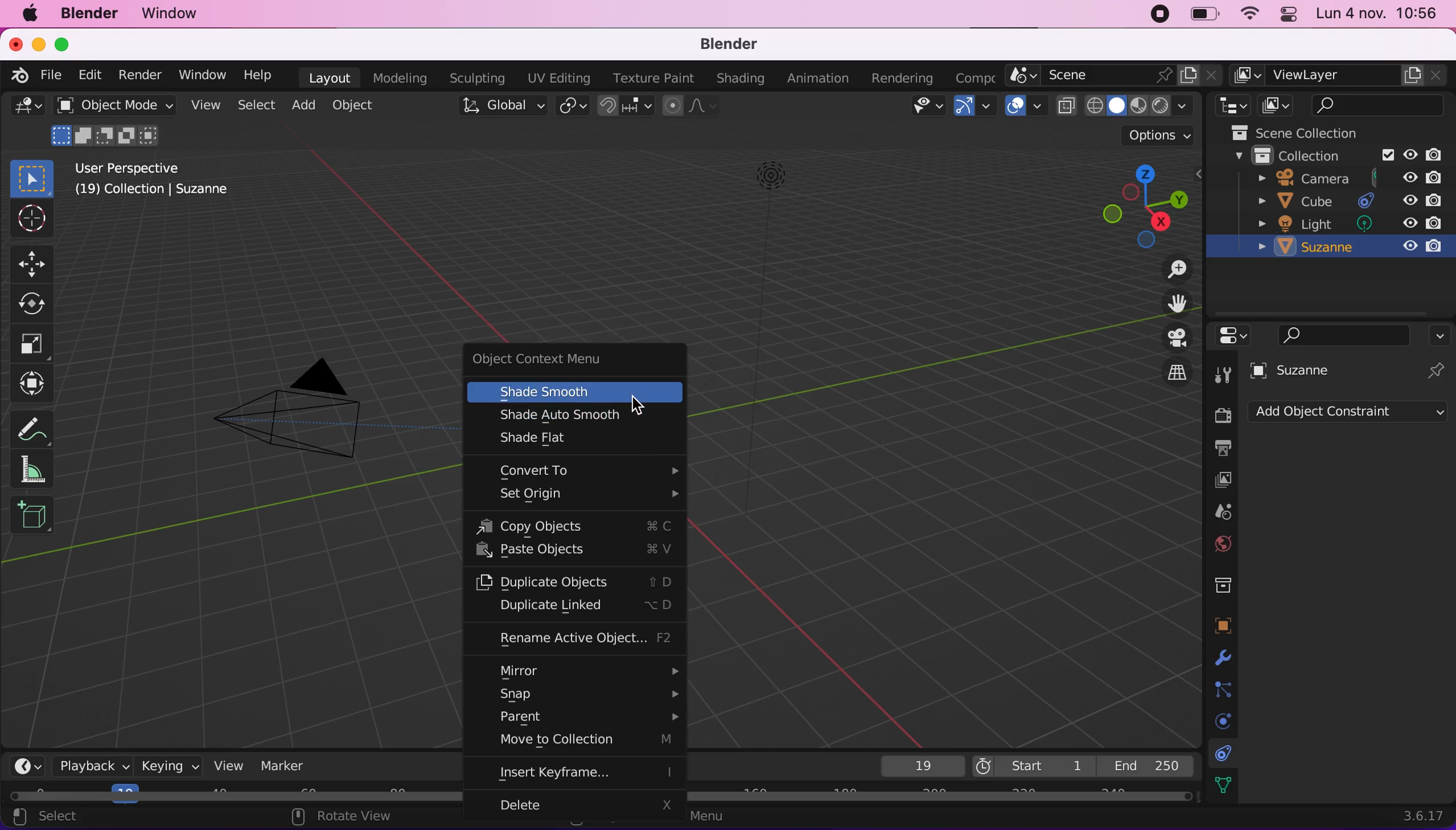  What do you see at coordinates (1306, 370) in the screenshot?
I see `suzanne` at bounding box center [1306, 370].